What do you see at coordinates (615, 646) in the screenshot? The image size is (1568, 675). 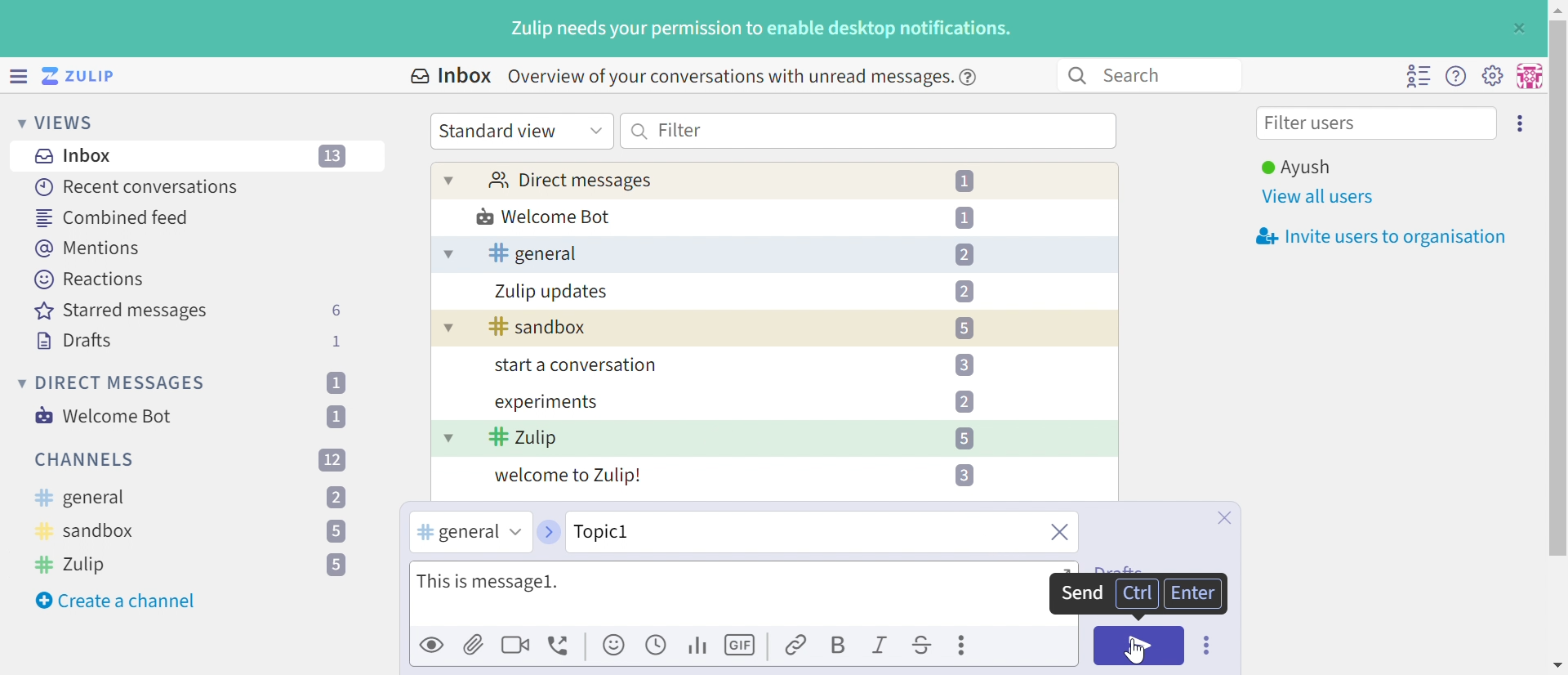 I see `Add emoji` at bounding box center [615, 646].